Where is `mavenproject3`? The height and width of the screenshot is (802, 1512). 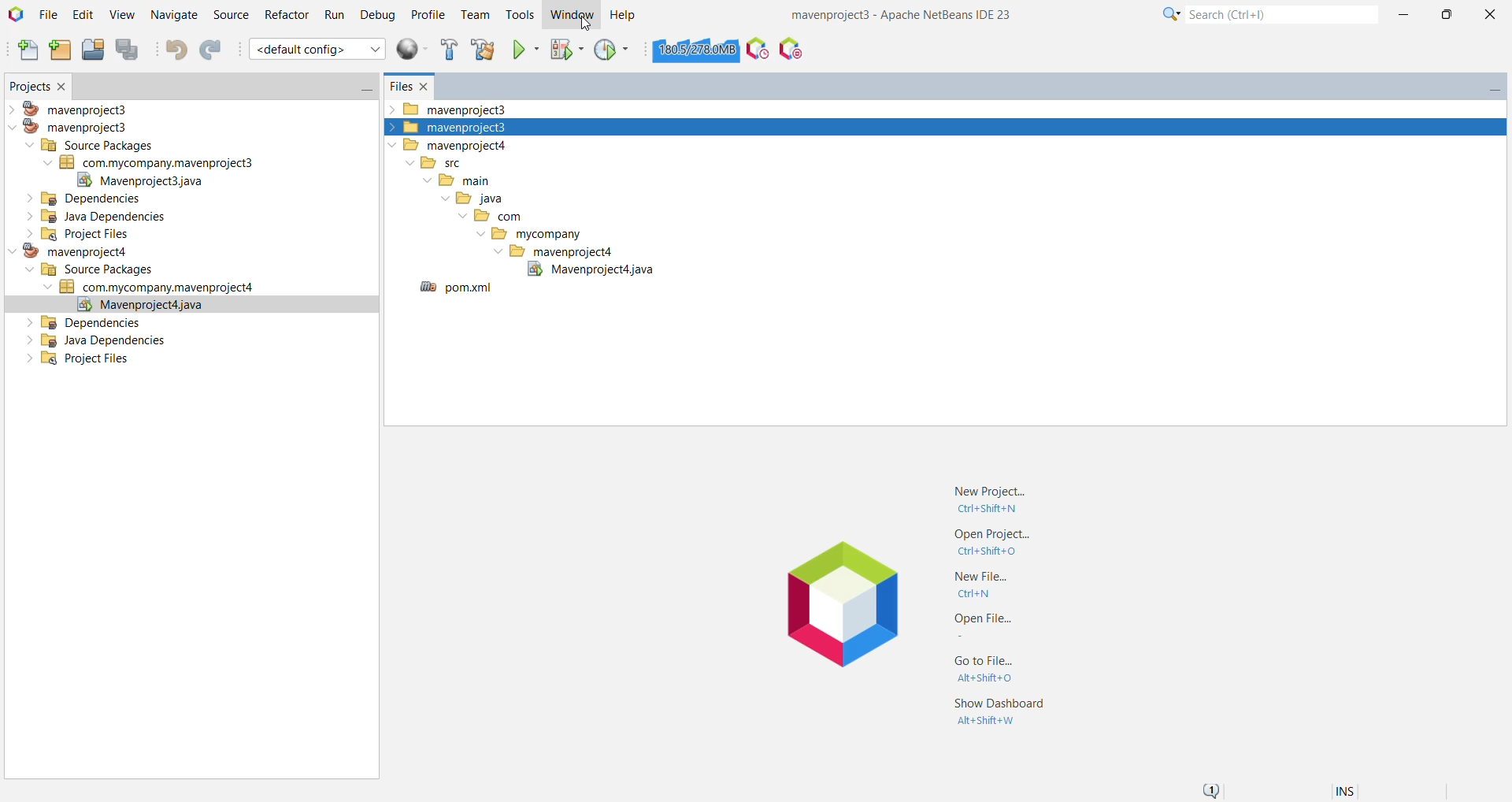 mavenproject3 is located at coordinates (73, 108).